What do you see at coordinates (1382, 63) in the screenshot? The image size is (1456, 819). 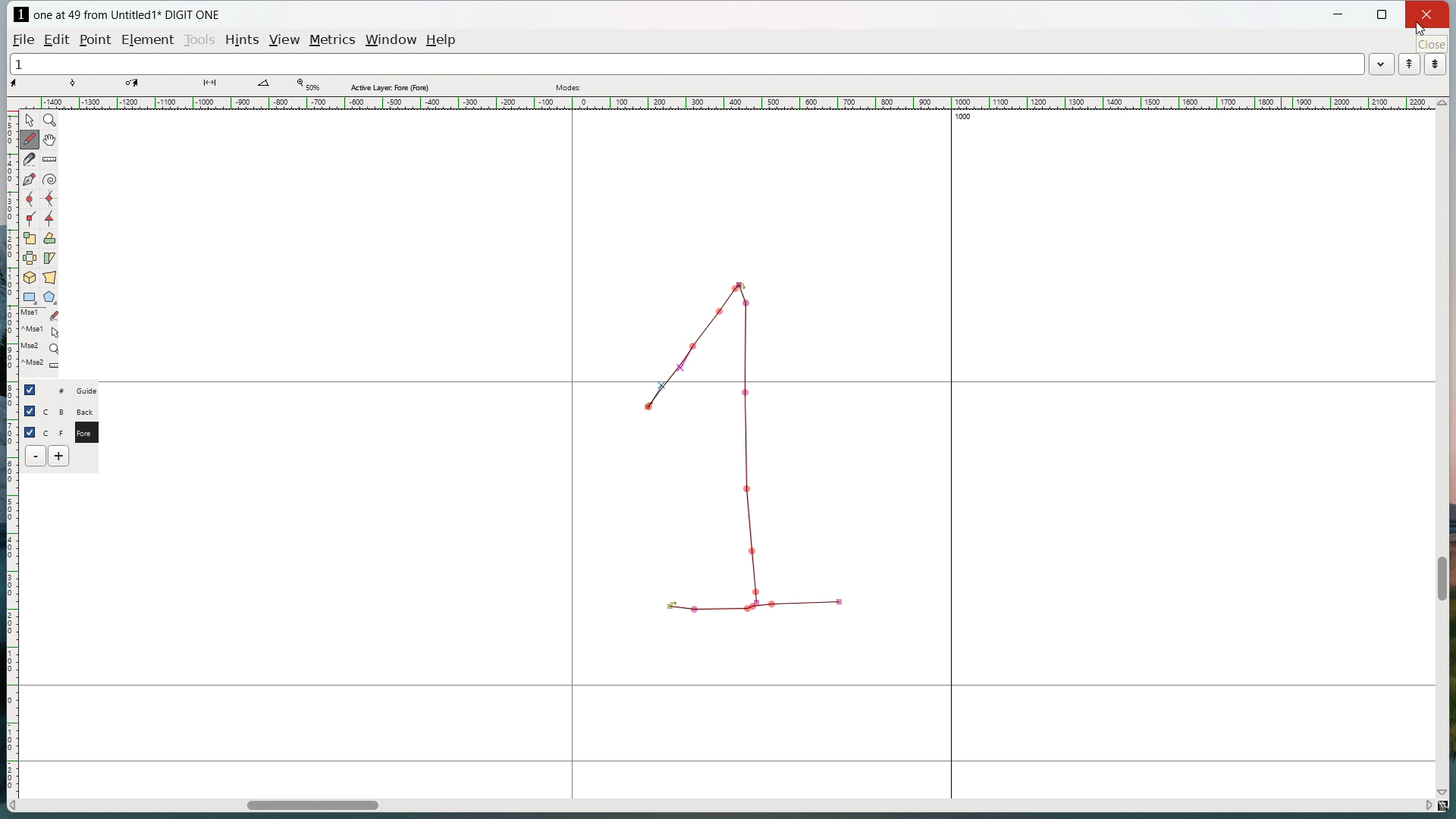 I see `word list` at bounding box center [1382, 63].